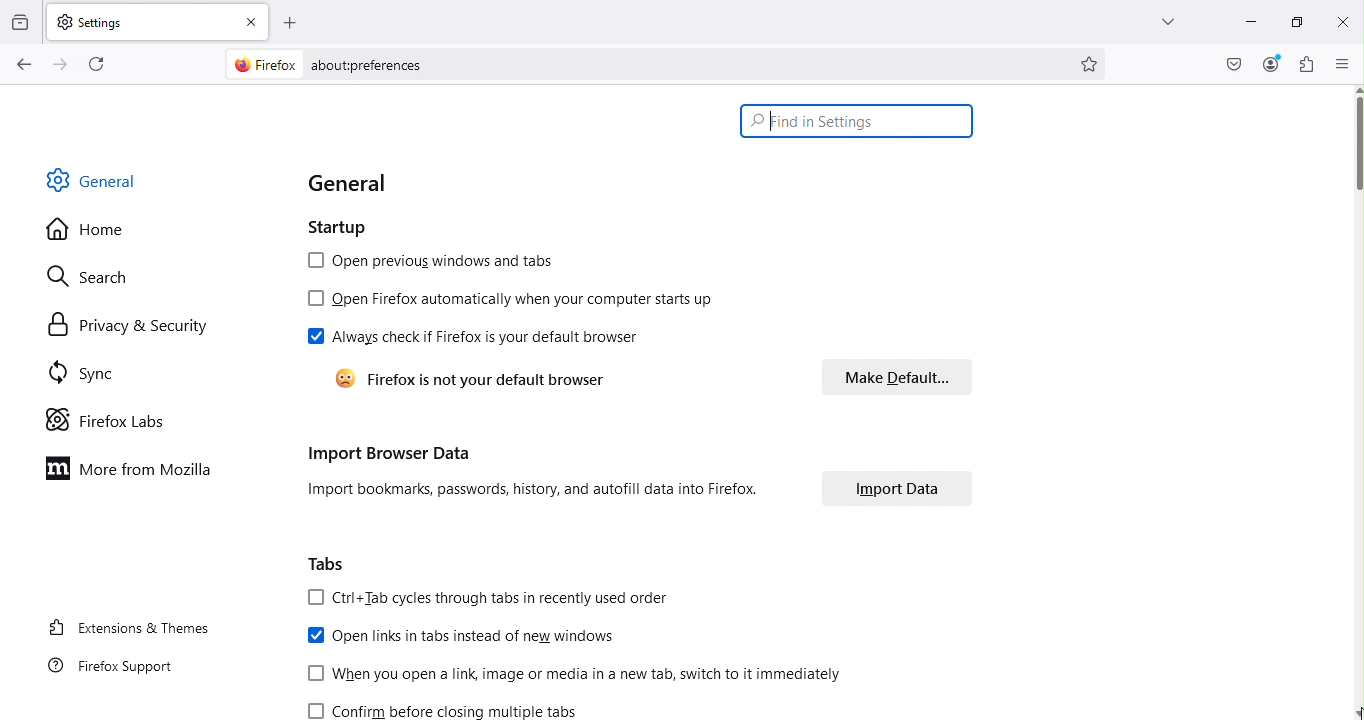 This screenshot has height=720, width=1364. What do you see at coordinates (330, 562) in the screenshot?
I see `Tabs` at bounding box center [330, 562].